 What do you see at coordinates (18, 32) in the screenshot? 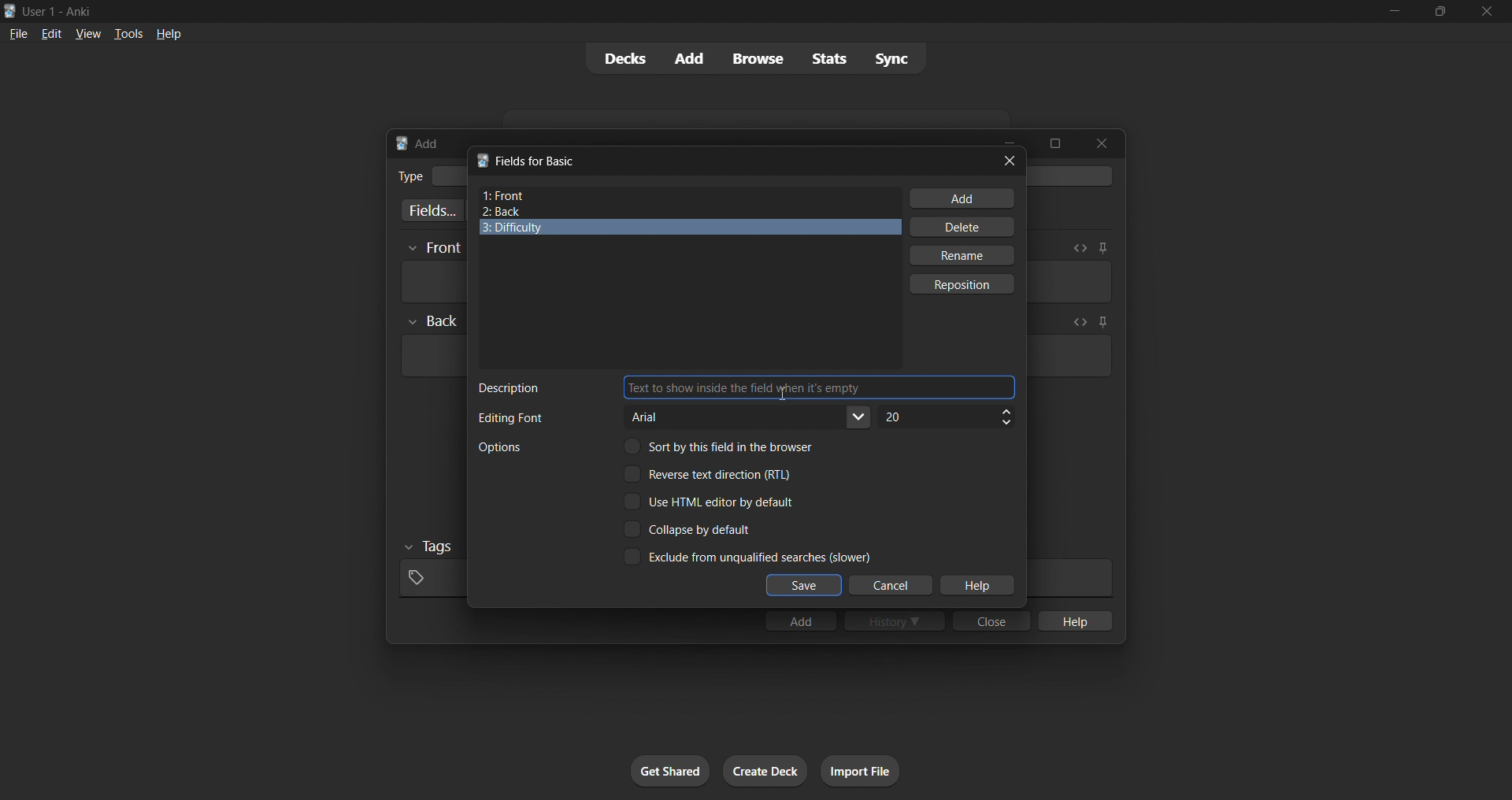
I see `file` at bounding box center [18, 32].